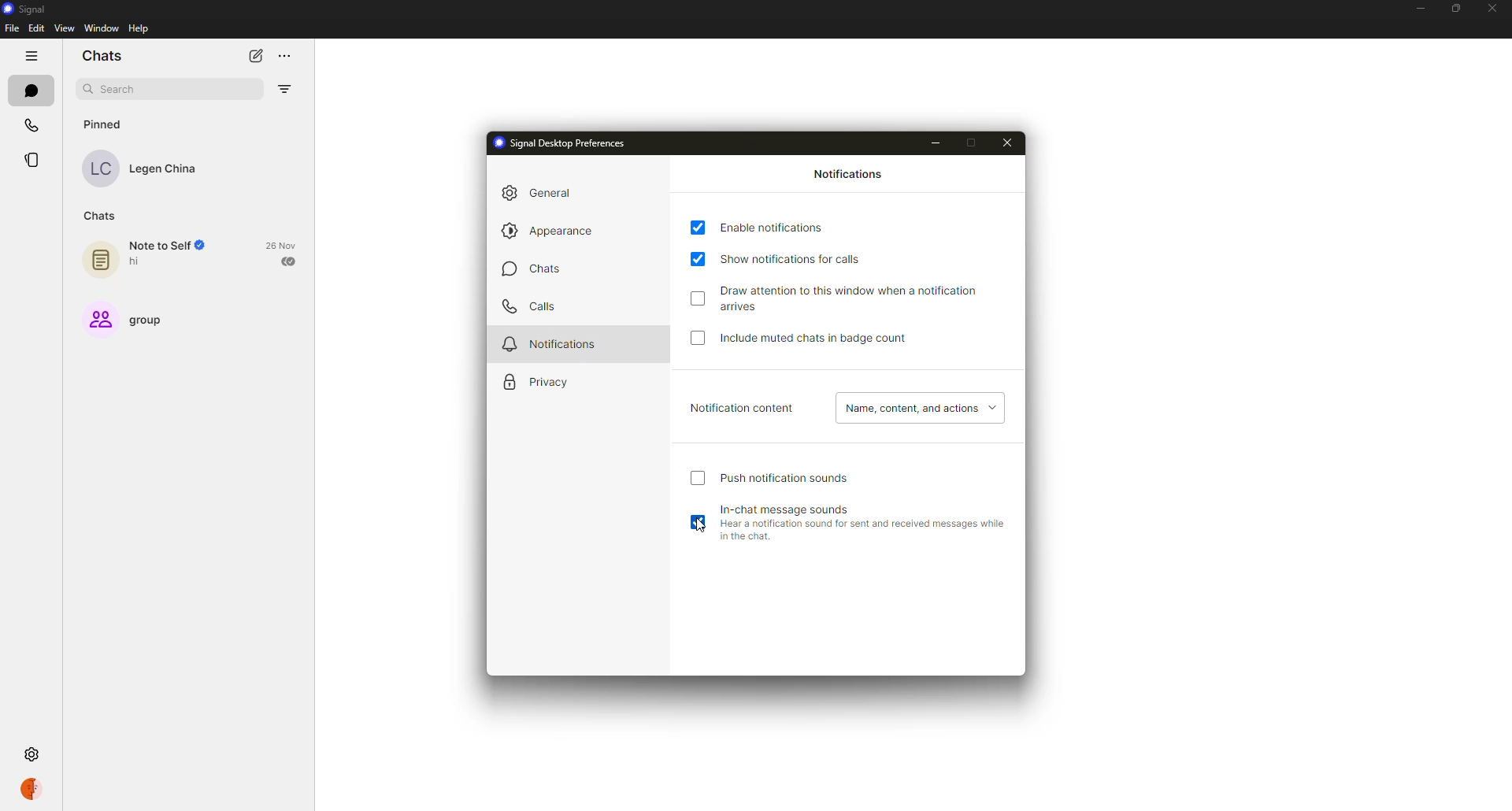 The height and width of the screenshot is (811, 1512). Describe the element at coordinates (34, 56) in the screenshot. I see `hide tabs` at that location.